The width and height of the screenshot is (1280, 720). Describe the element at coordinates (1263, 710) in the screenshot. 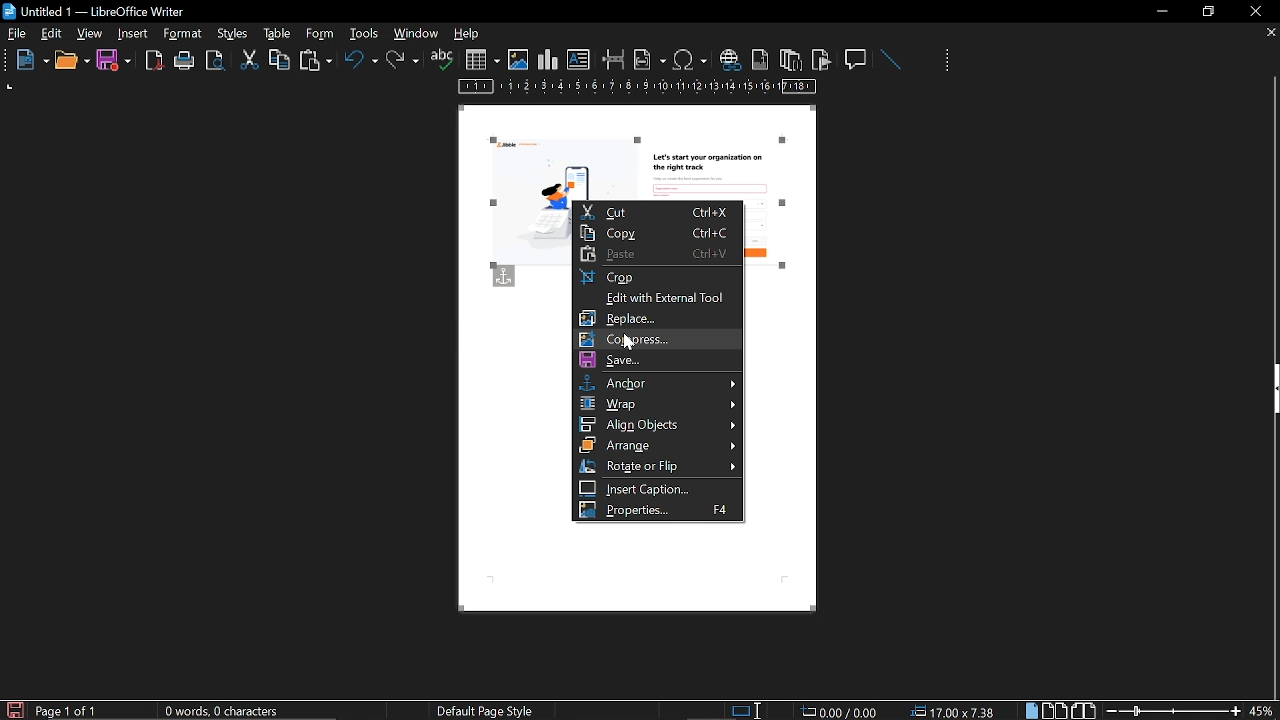

I see `current zoom` at that location.